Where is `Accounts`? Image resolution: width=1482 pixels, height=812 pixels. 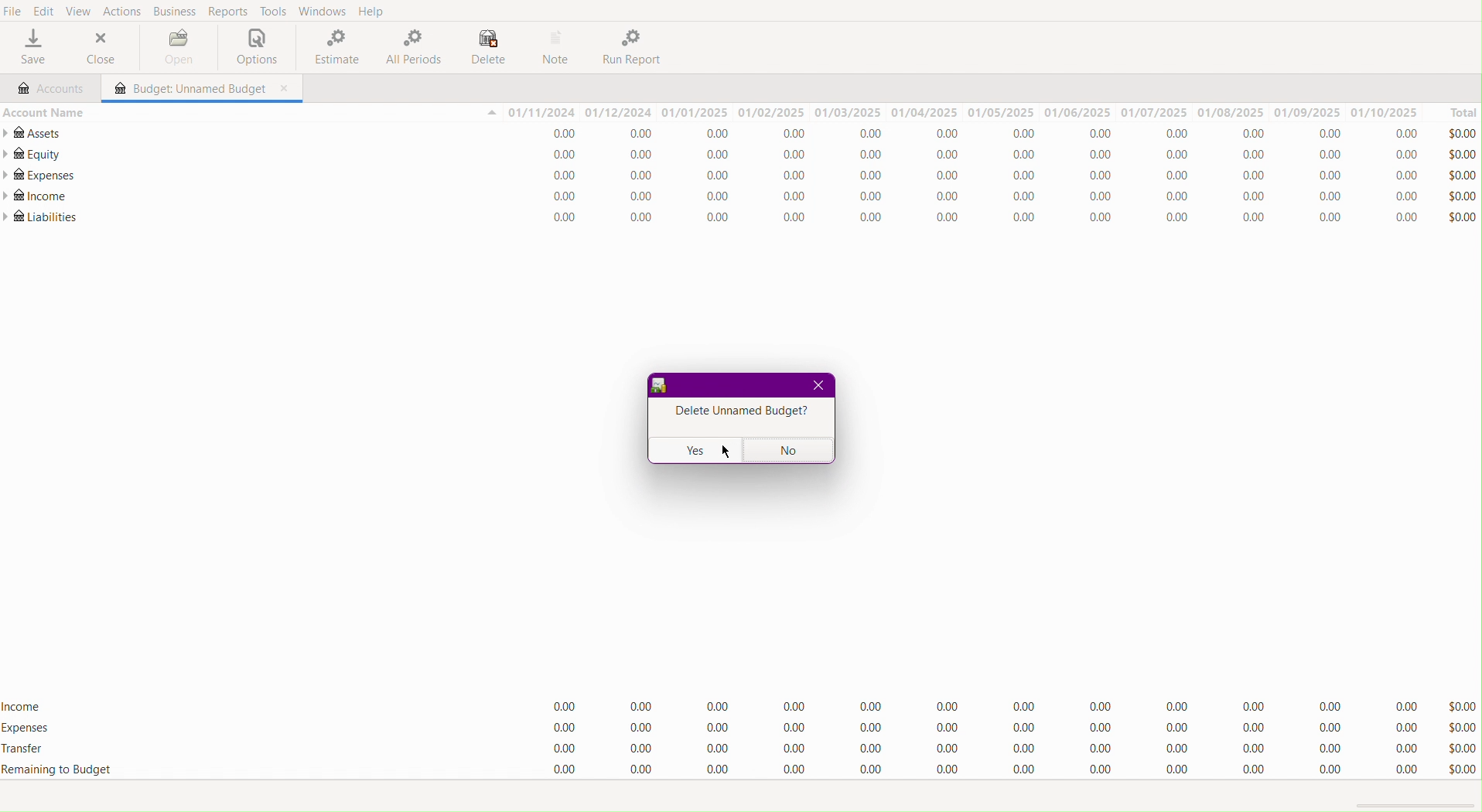
Accounts is located at coordinates (49, 87).